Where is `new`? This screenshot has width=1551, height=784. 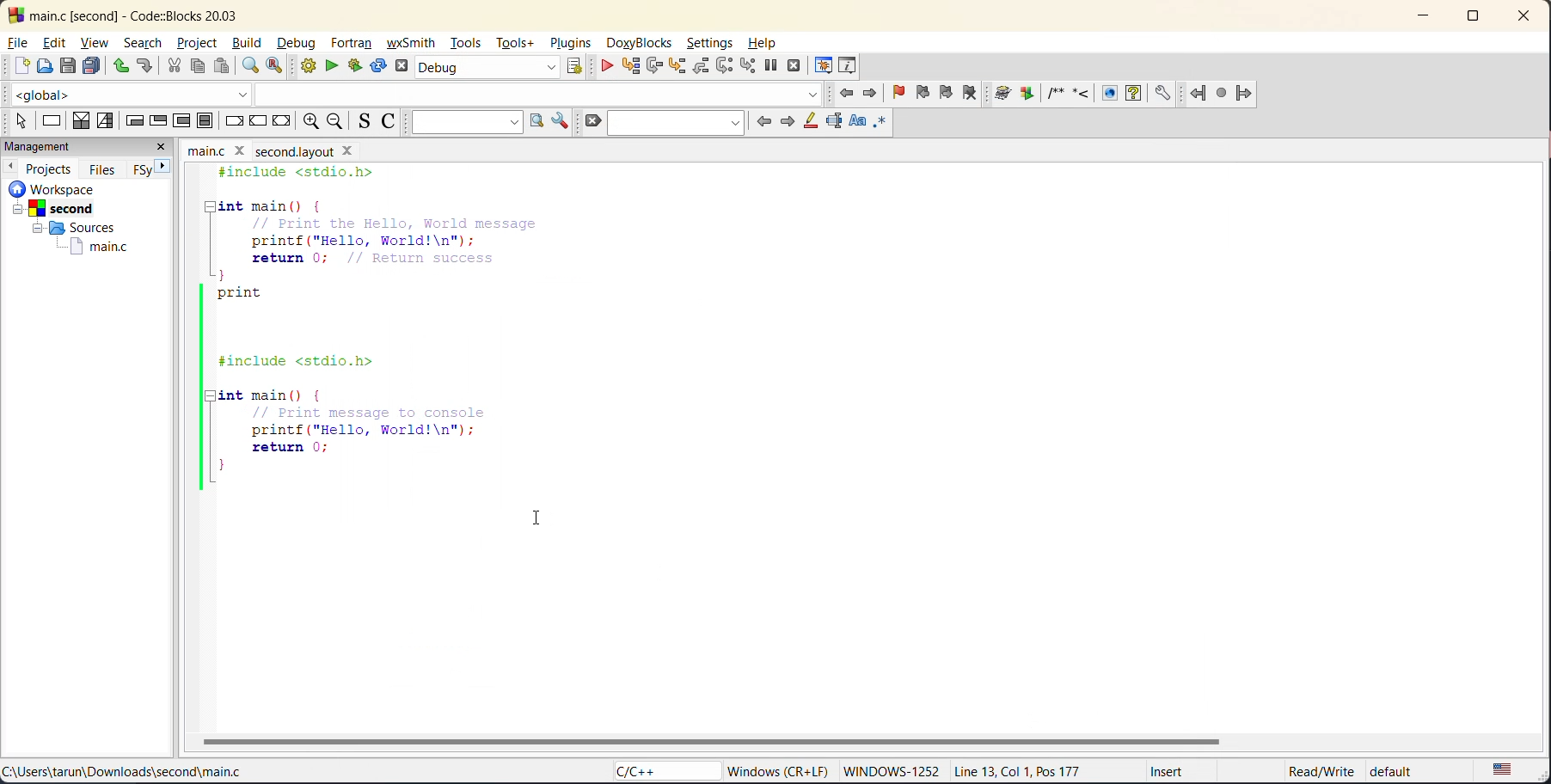
new is located at coordinates (16, 67).